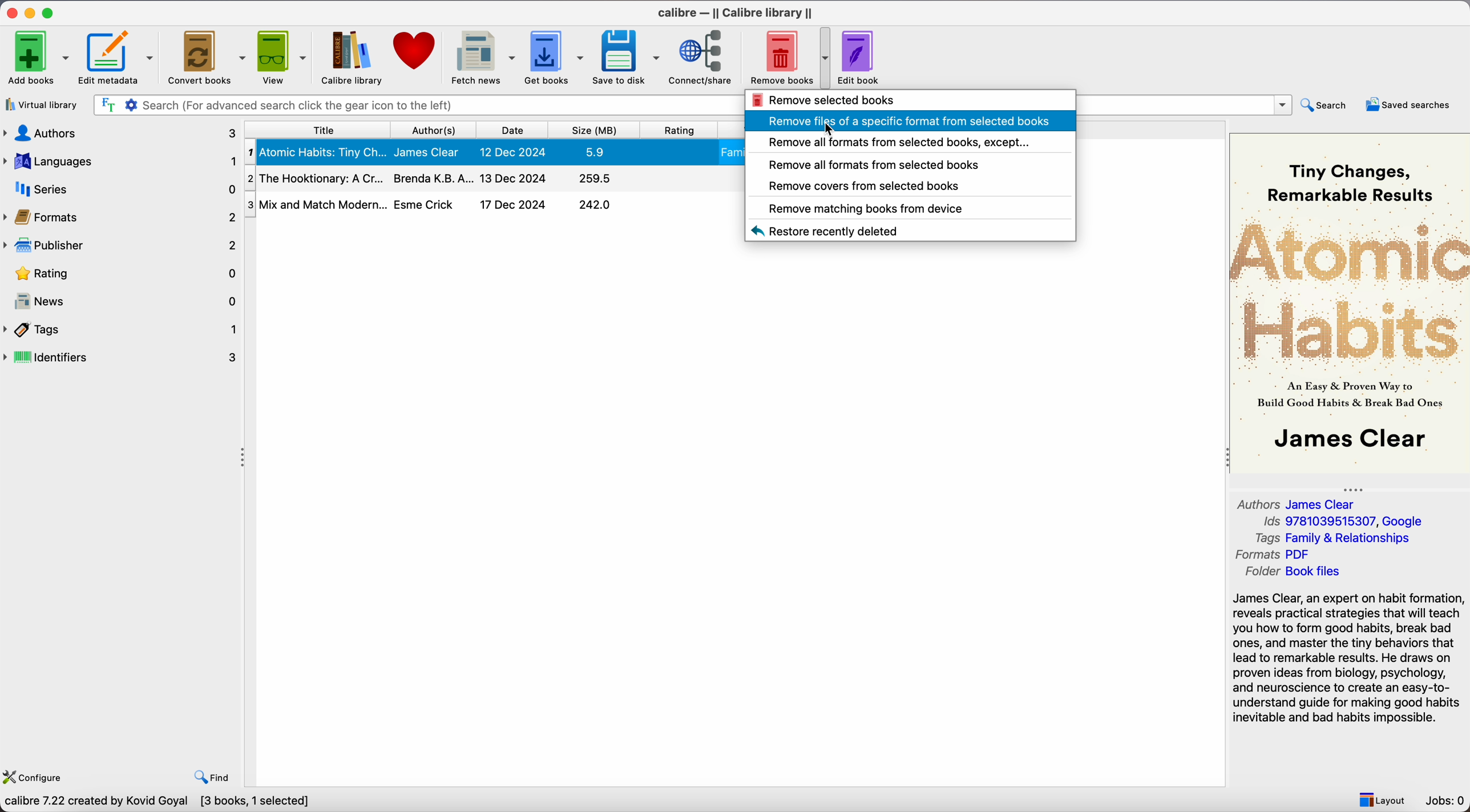 This screenshot has height=812, width=1470. Describe the element at coordinates (120, 161) in the screenshot. I see `languages` at that location.